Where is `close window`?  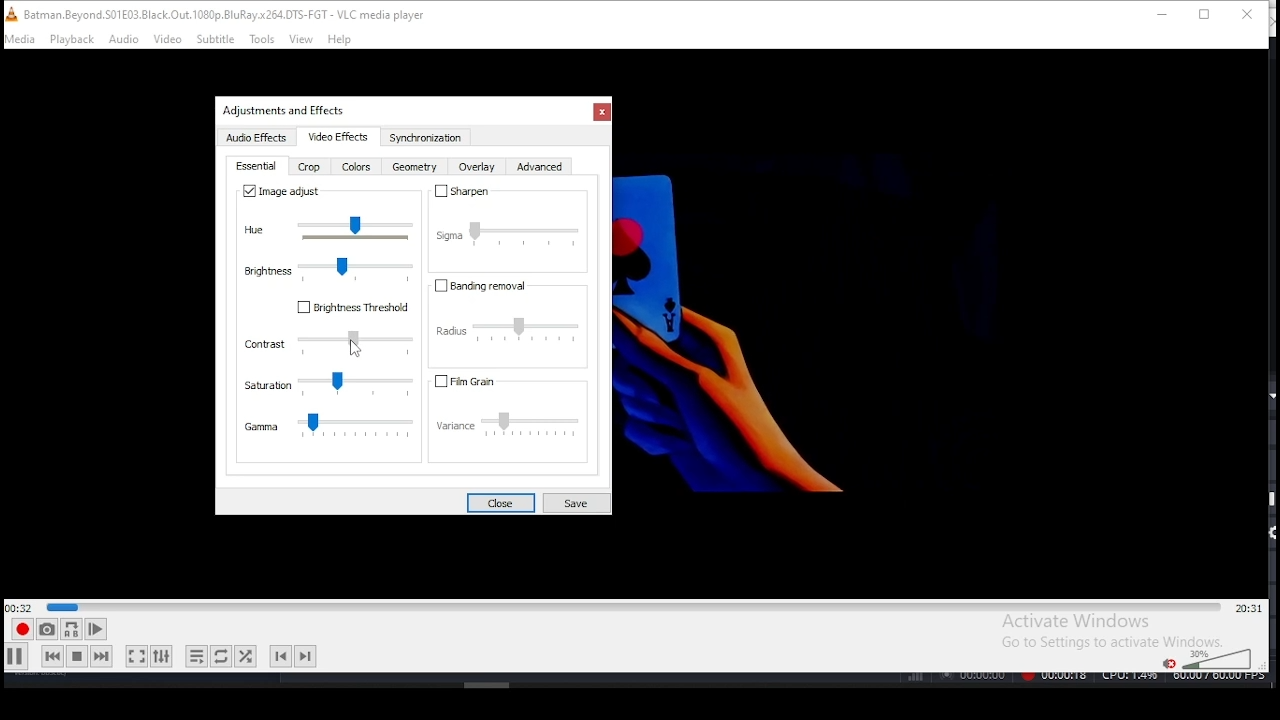
close window is located at coordinates (1248, 16).